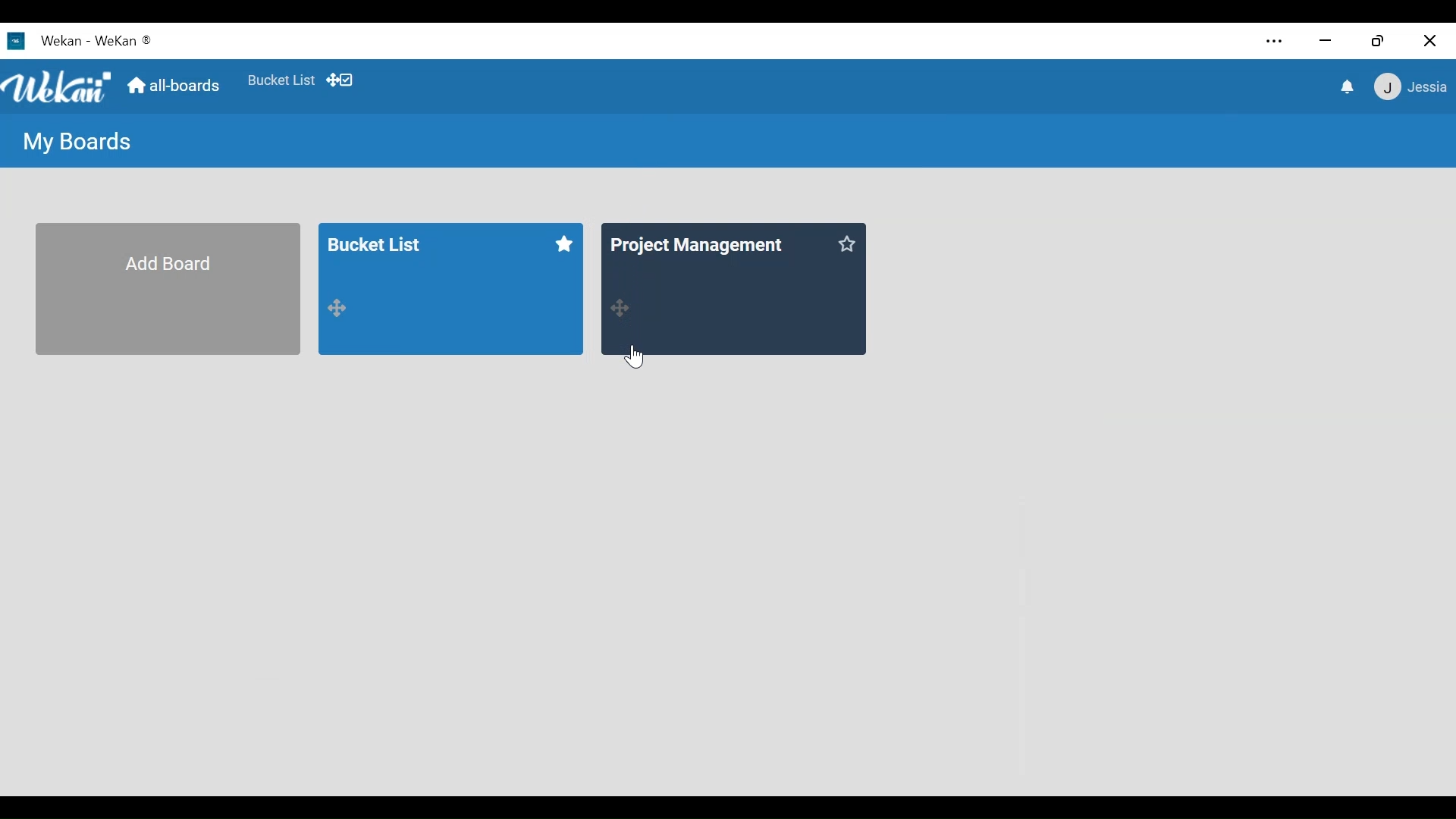 Image resolution: width=1456 pixels, height=819 pixels. I want to click on bucket list, so click(279, 79).